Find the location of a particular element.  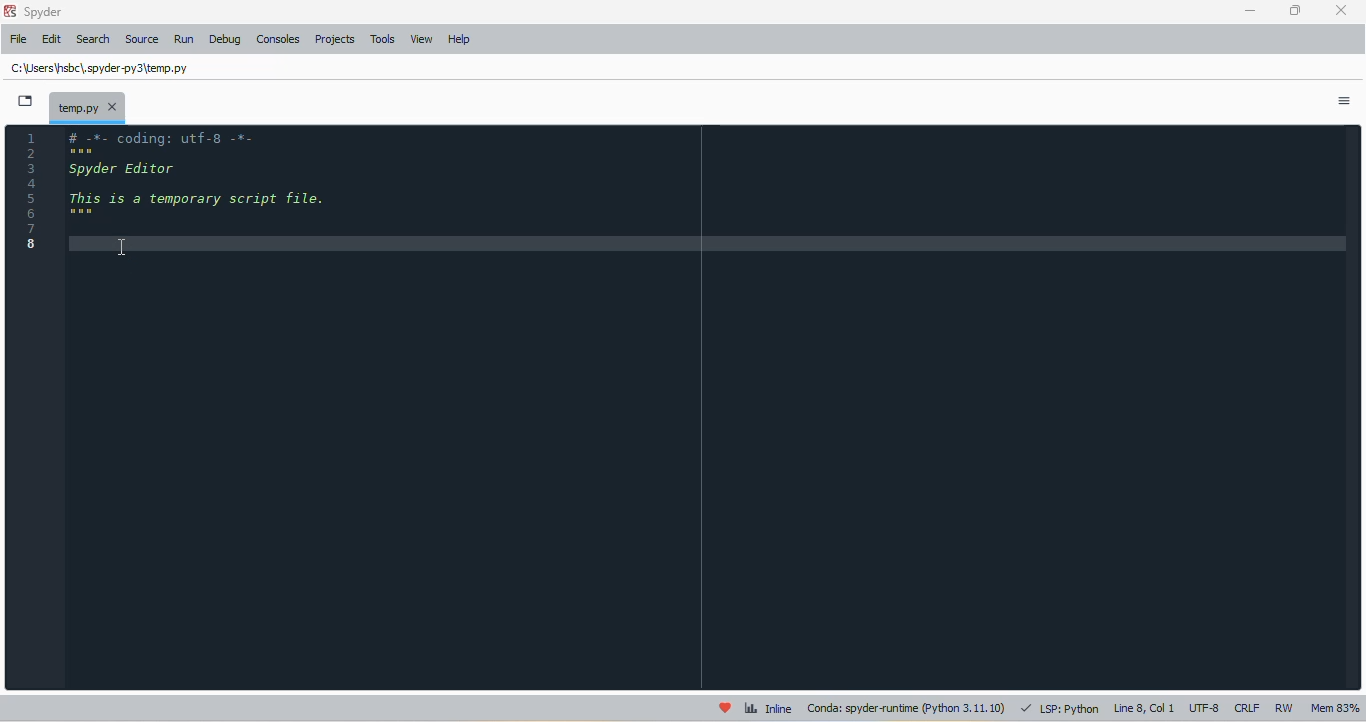

line 8, col 1 is located at coordinates (1145, 708).